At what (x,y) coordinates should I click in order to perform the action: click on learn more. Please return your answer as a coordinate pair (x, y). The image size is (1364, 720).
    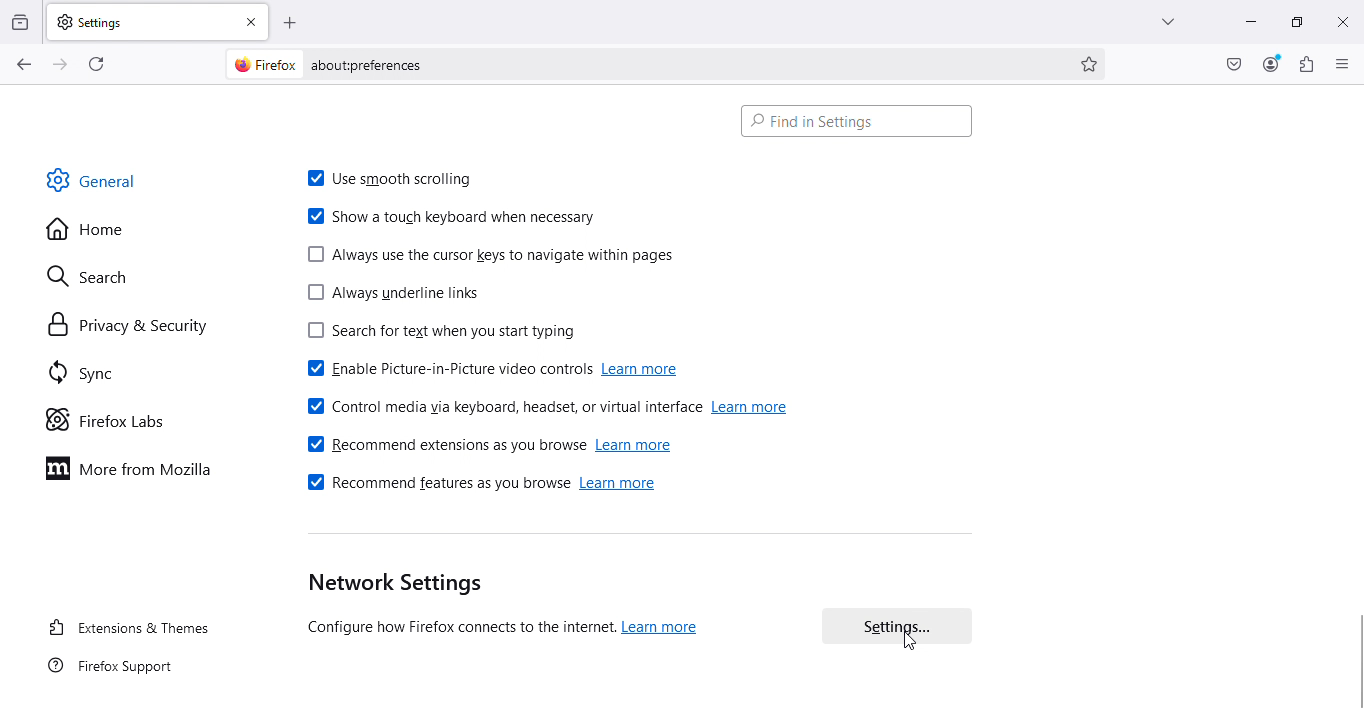
    Looking at the image, I should click on (621, 487).